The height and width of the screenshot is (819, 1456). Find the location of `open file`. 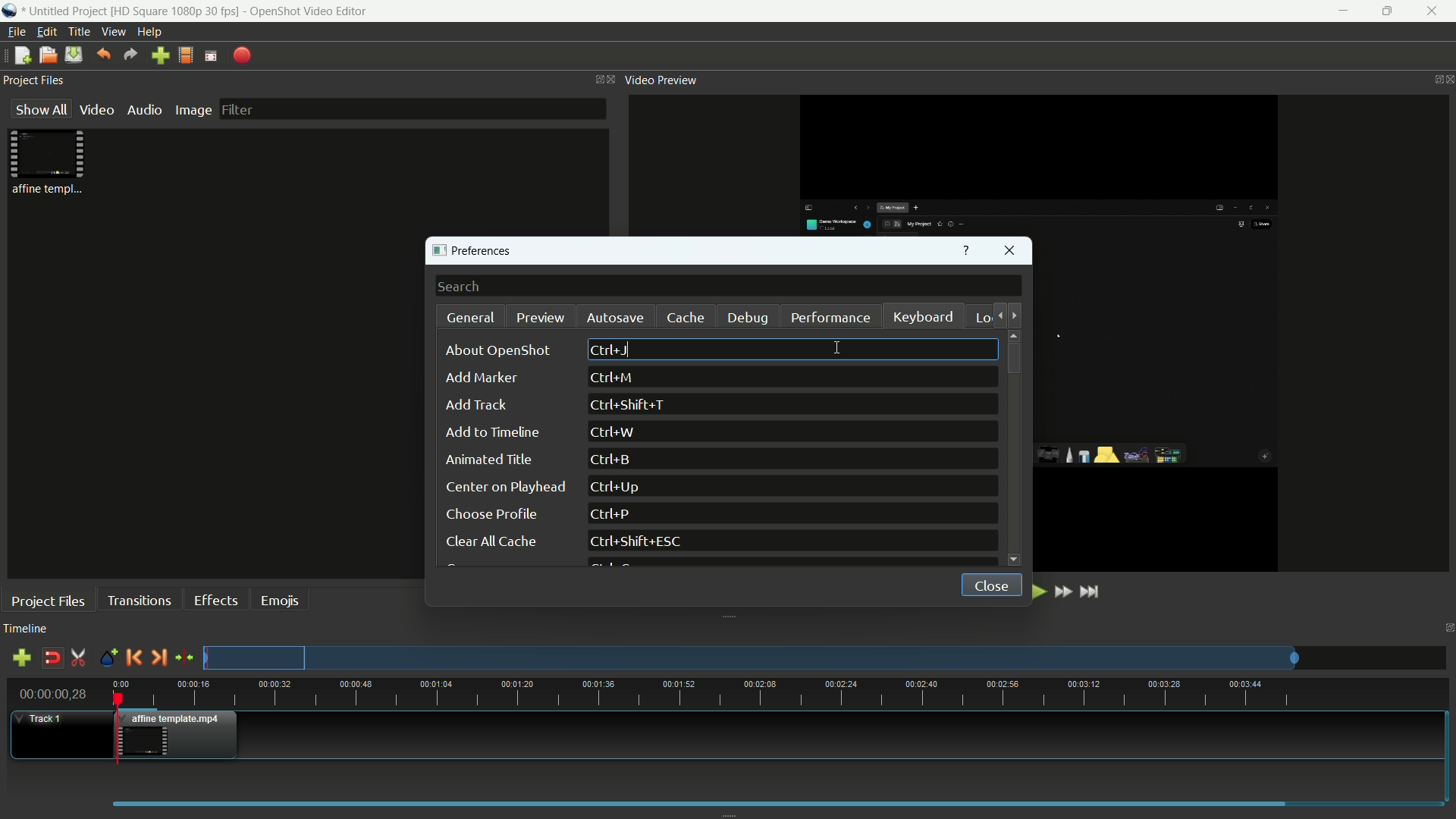

open file is located at coordinates (48, 55).